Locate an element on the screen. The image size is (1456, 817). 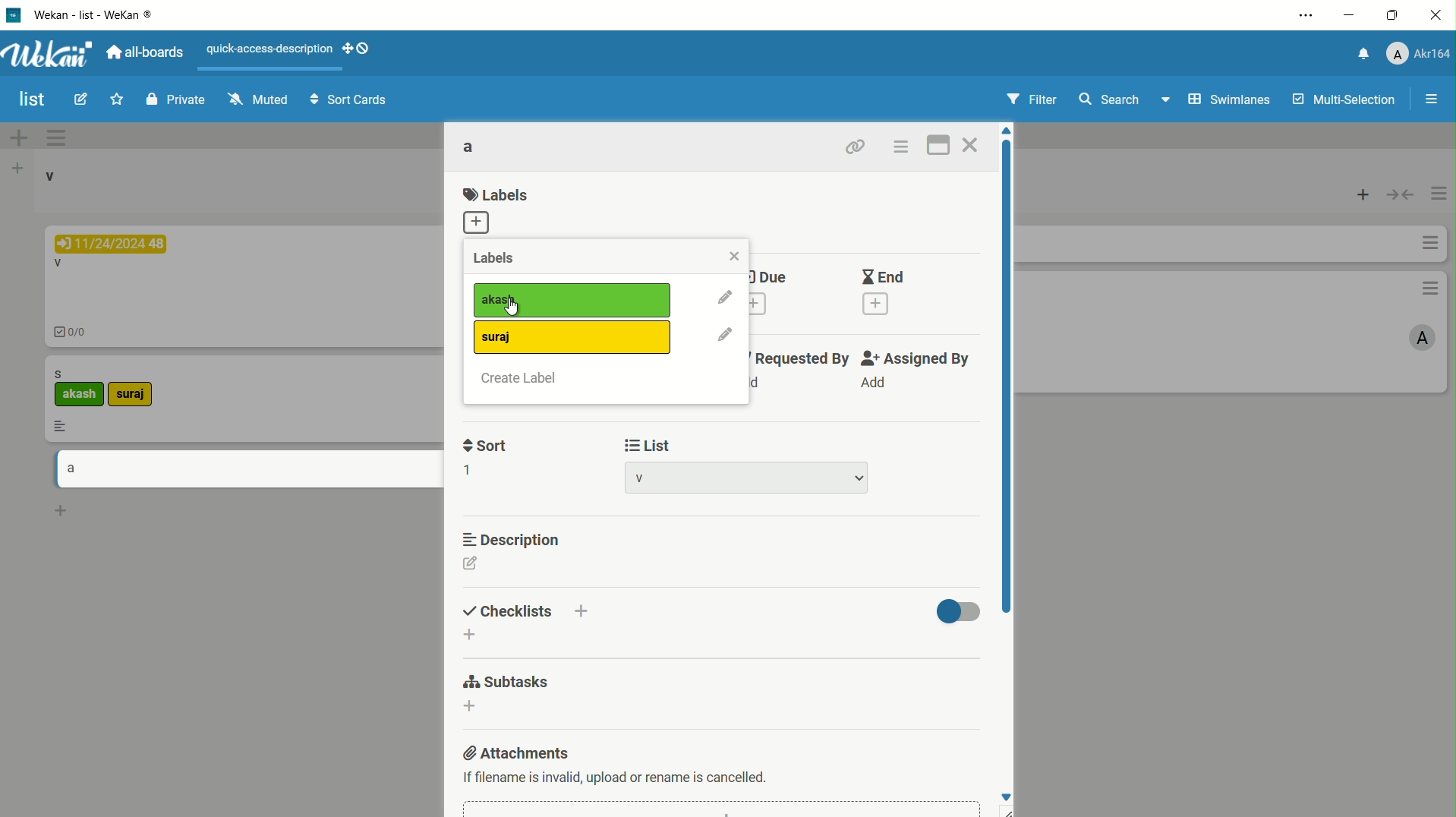
options is located at coordinates (55, 138).